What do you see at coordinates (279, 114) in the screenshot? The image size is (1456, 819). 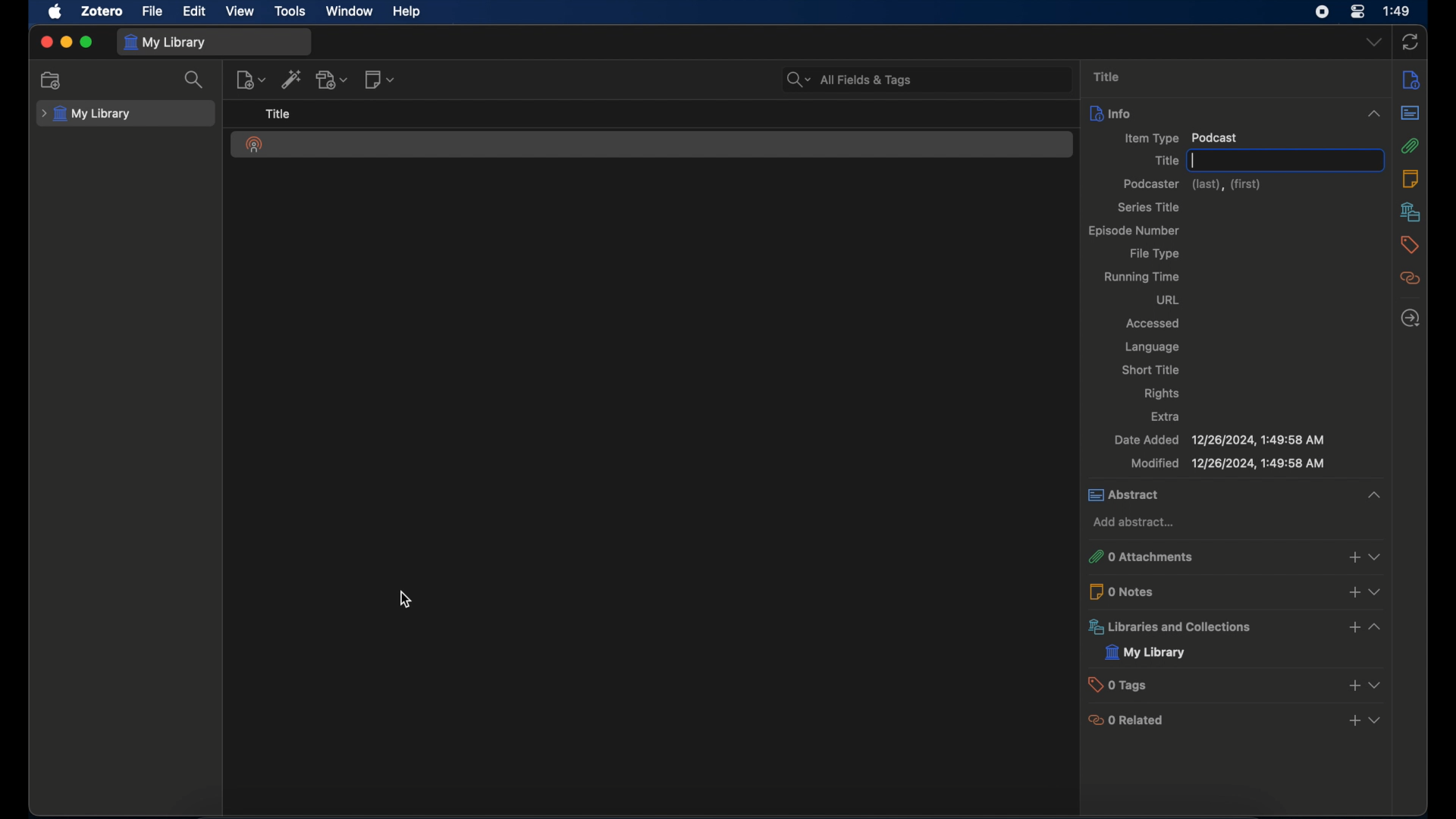 I see `title ` at bounding box center [279, 114].